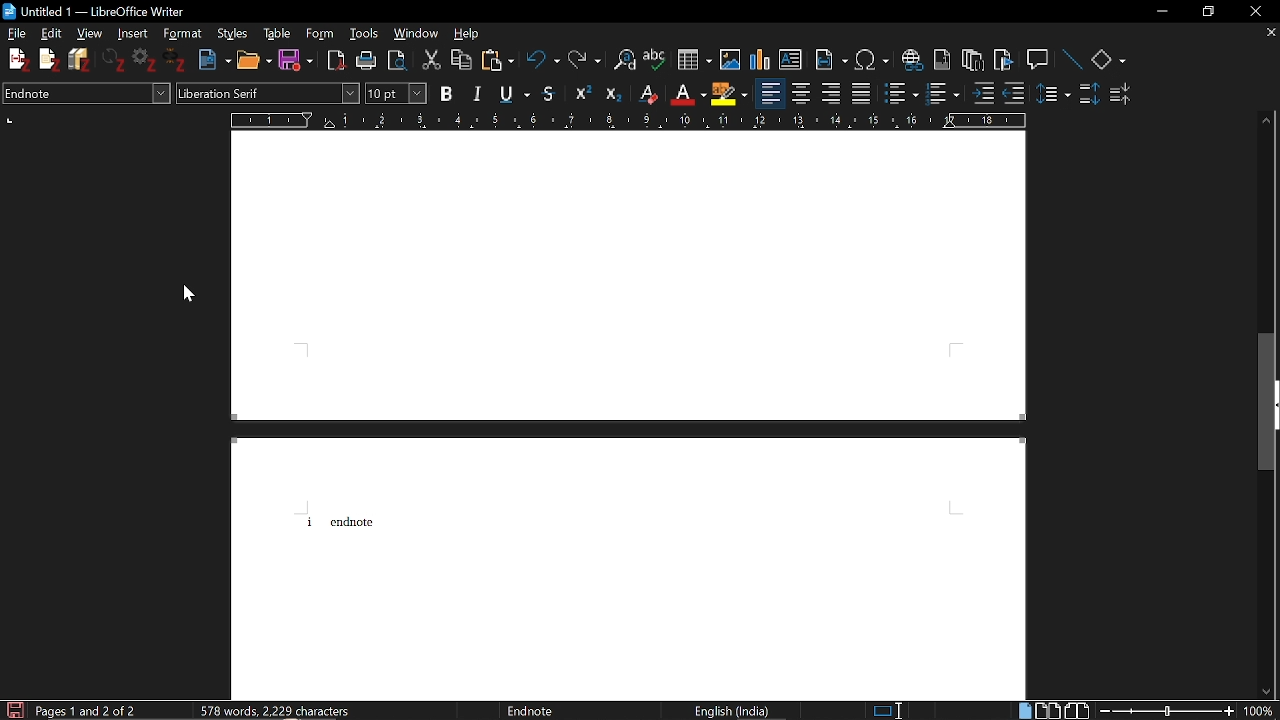 Image resolution: width=1280 pixels, height=720 pixels. What do you see at coordinates (109, 11) in the screenshot?
I see `untitled 1 - libreoffice writter` at bounding box center [109, 11].